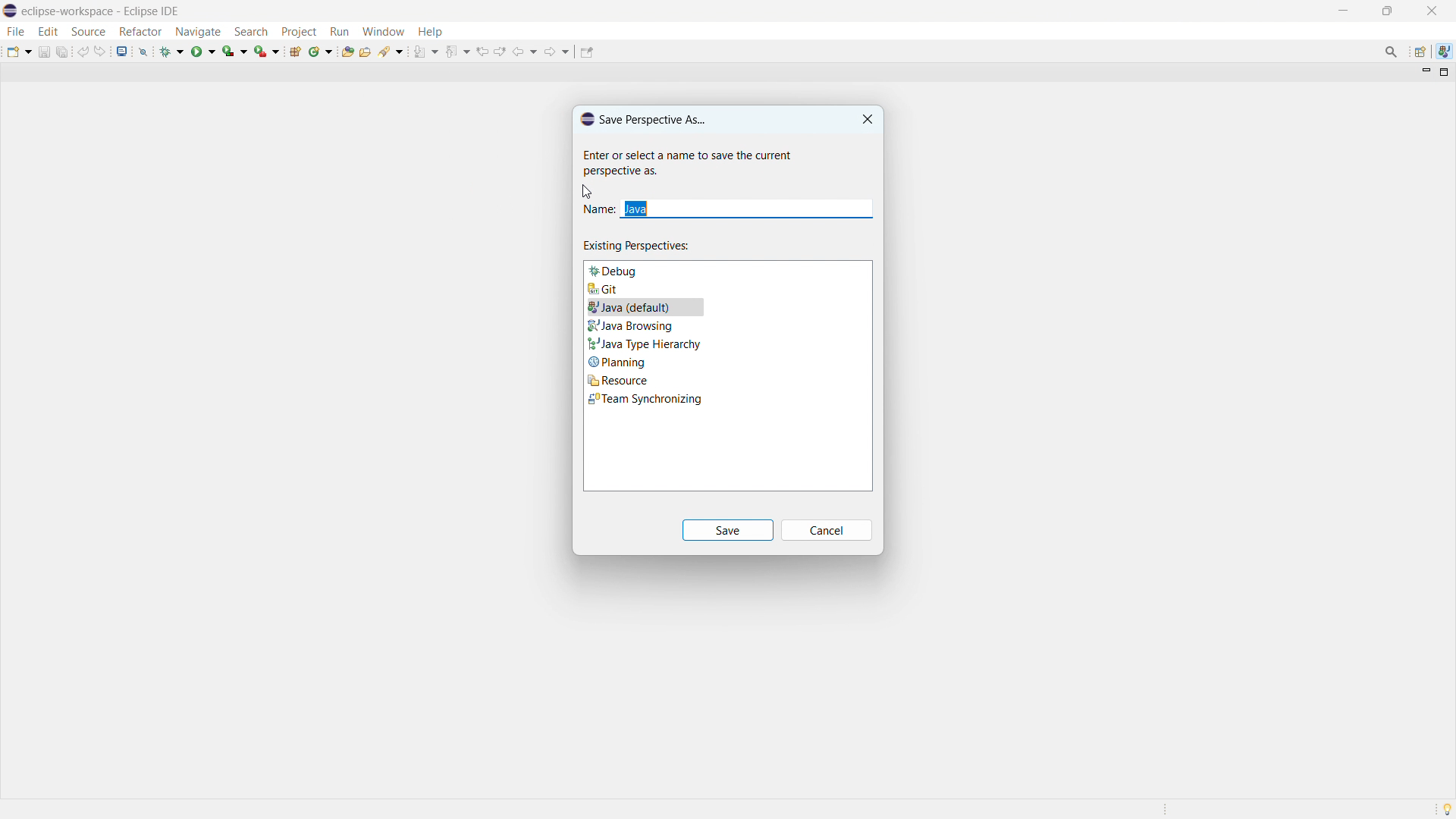 Image resolution: width=1456 pixels, height=819 pixels. I want to click on save perspective dialogbox, so click(642, 118).